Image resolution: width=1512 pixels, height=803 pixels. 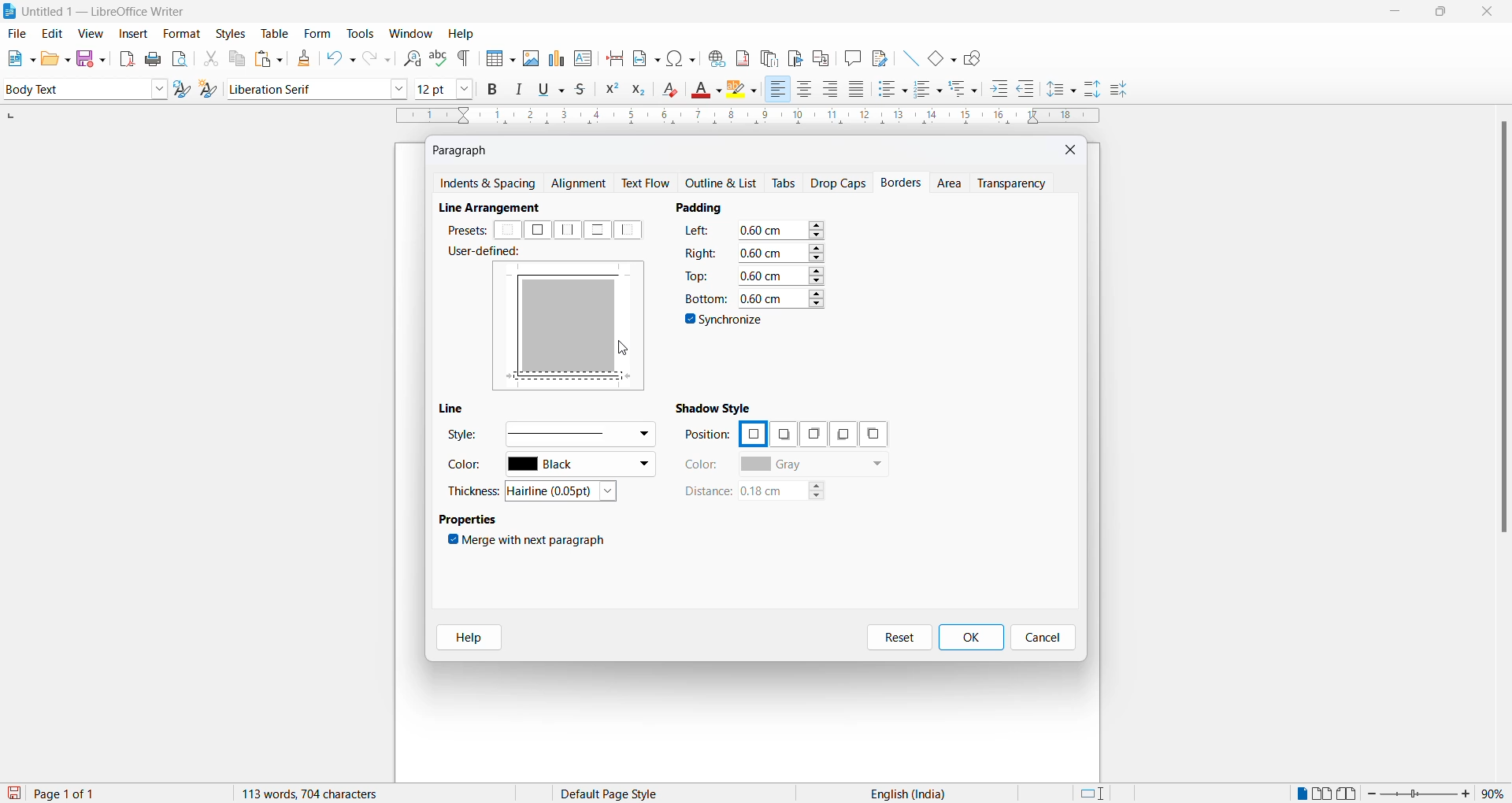 I want to click on total page and current page, so click(x=79, y=794).